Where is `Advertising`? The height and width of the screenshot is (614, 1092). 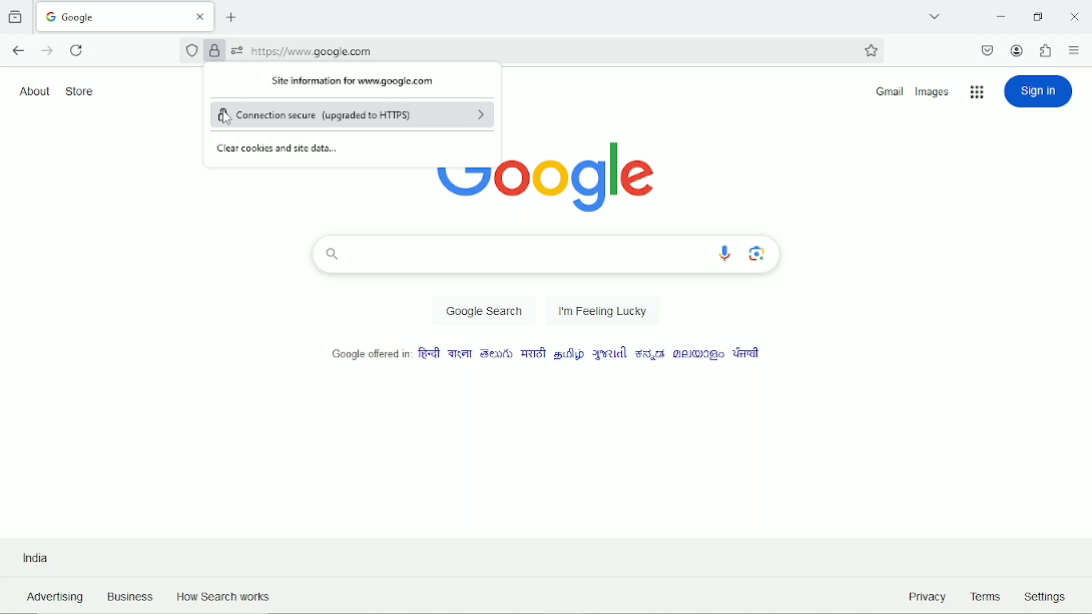
Advertising is located at coordinates (51, 597).